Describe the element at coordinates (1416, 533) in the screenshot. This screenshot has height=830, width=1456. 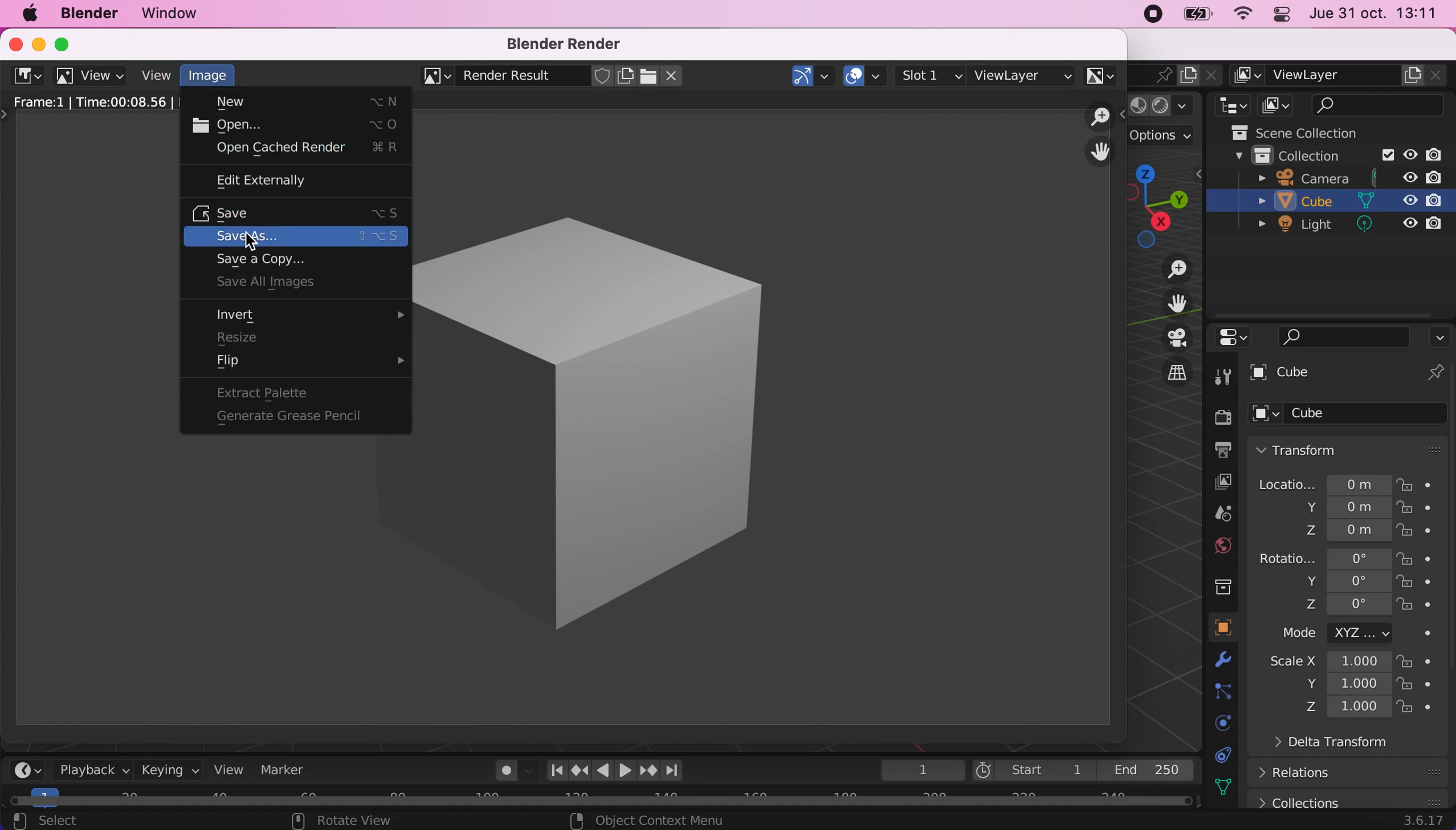
I see `lock` at that location.